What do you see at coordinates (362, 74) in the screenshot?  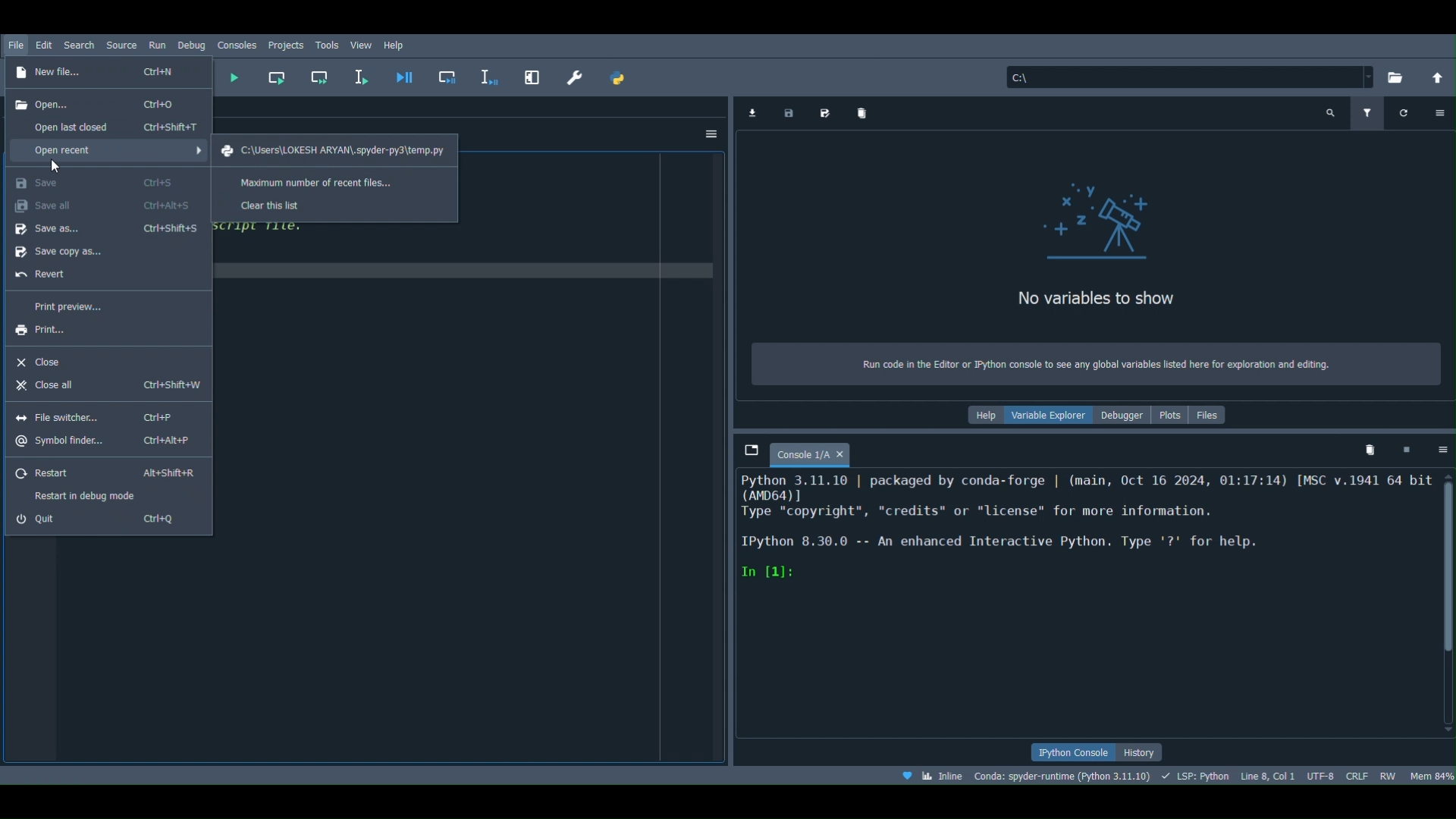 I see `Run selection or current line (F9)` at bounding box center [362, 74].